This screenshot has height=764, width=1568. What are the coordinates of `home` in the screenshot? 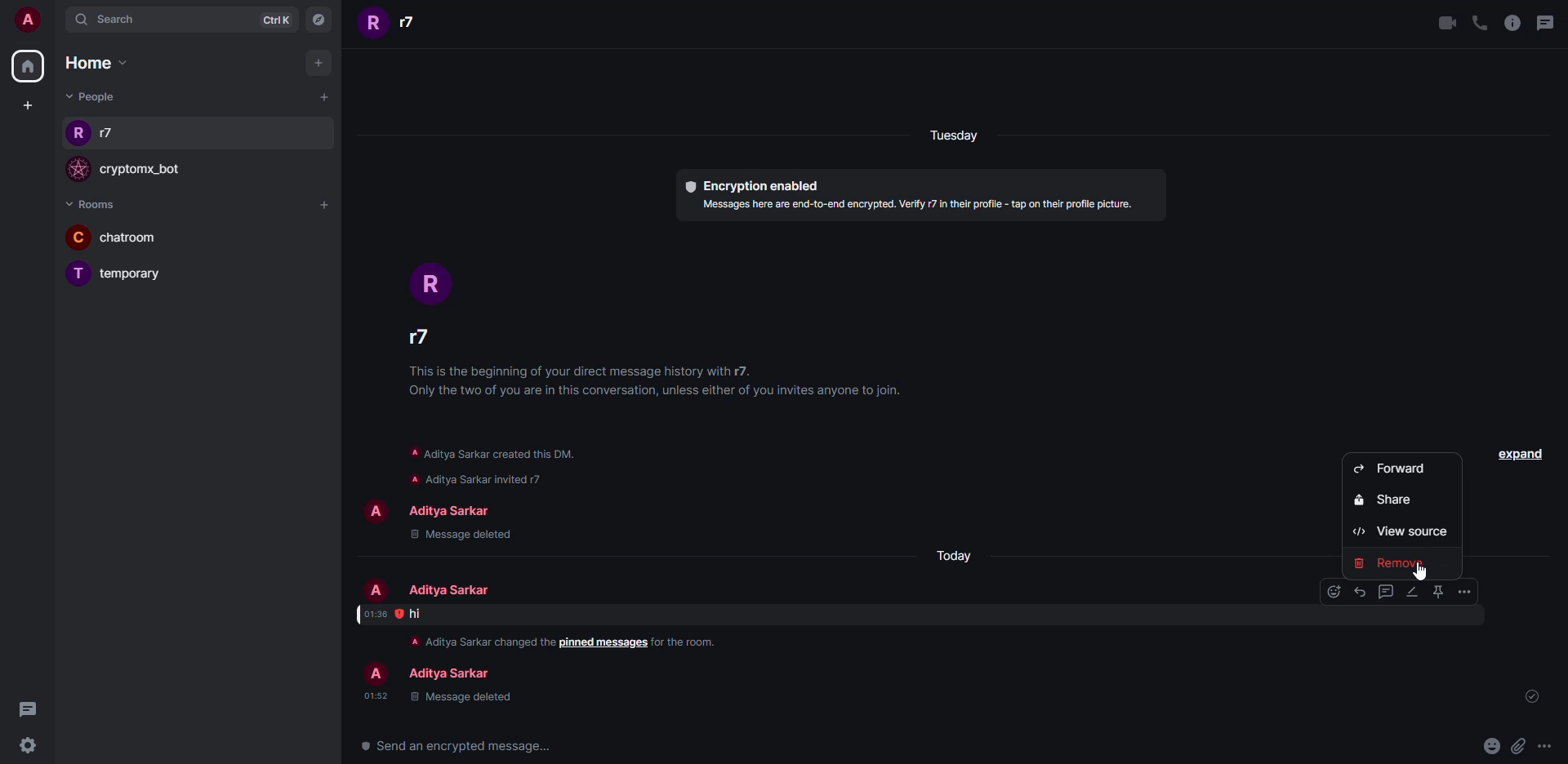 It's located at (96, 63).